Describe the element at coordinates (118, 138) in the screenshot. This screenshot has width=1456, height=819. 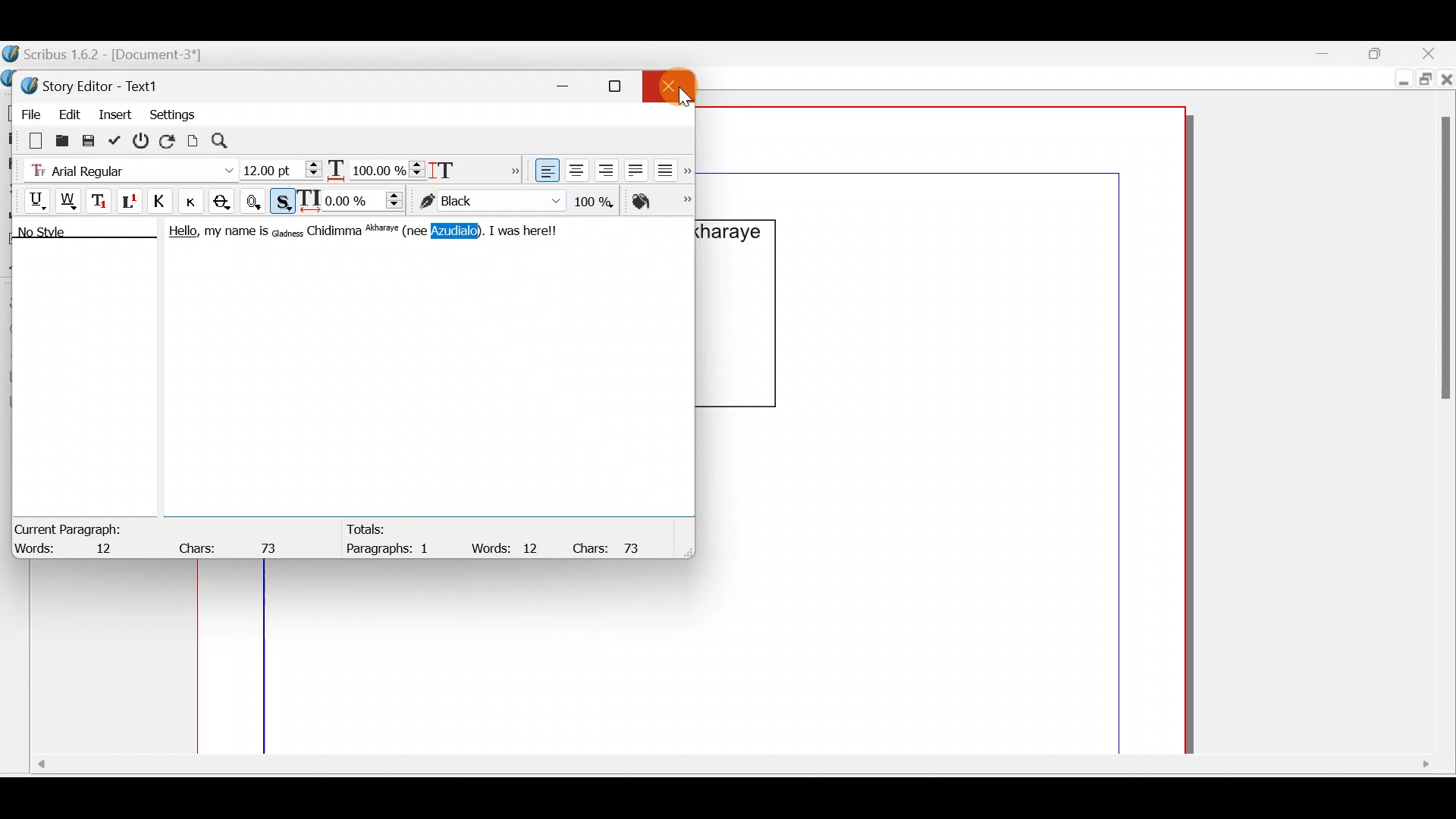
I see `Update text frame and exit` at that location.